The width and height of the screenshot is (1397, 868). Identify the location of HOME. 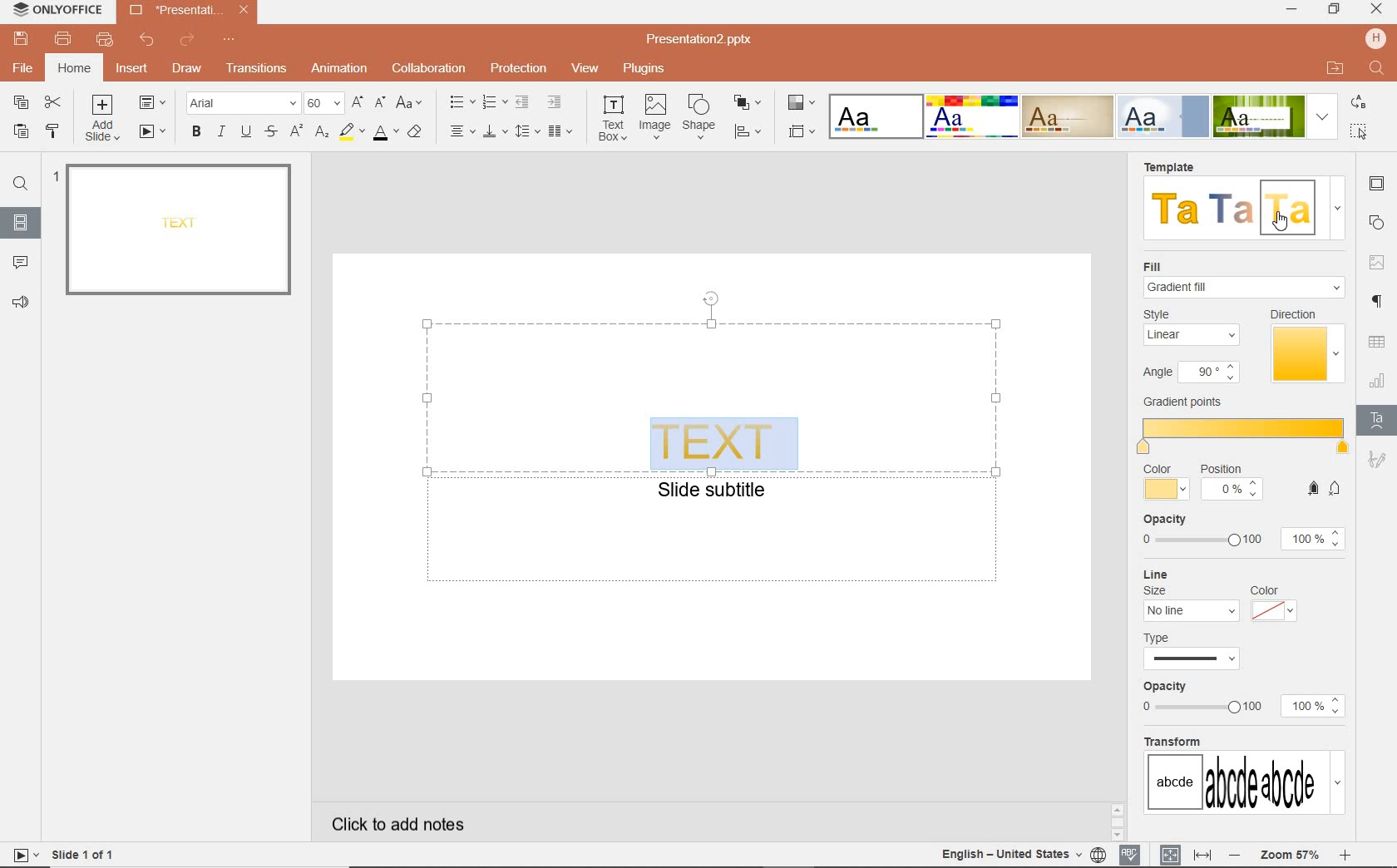
(73, 70).